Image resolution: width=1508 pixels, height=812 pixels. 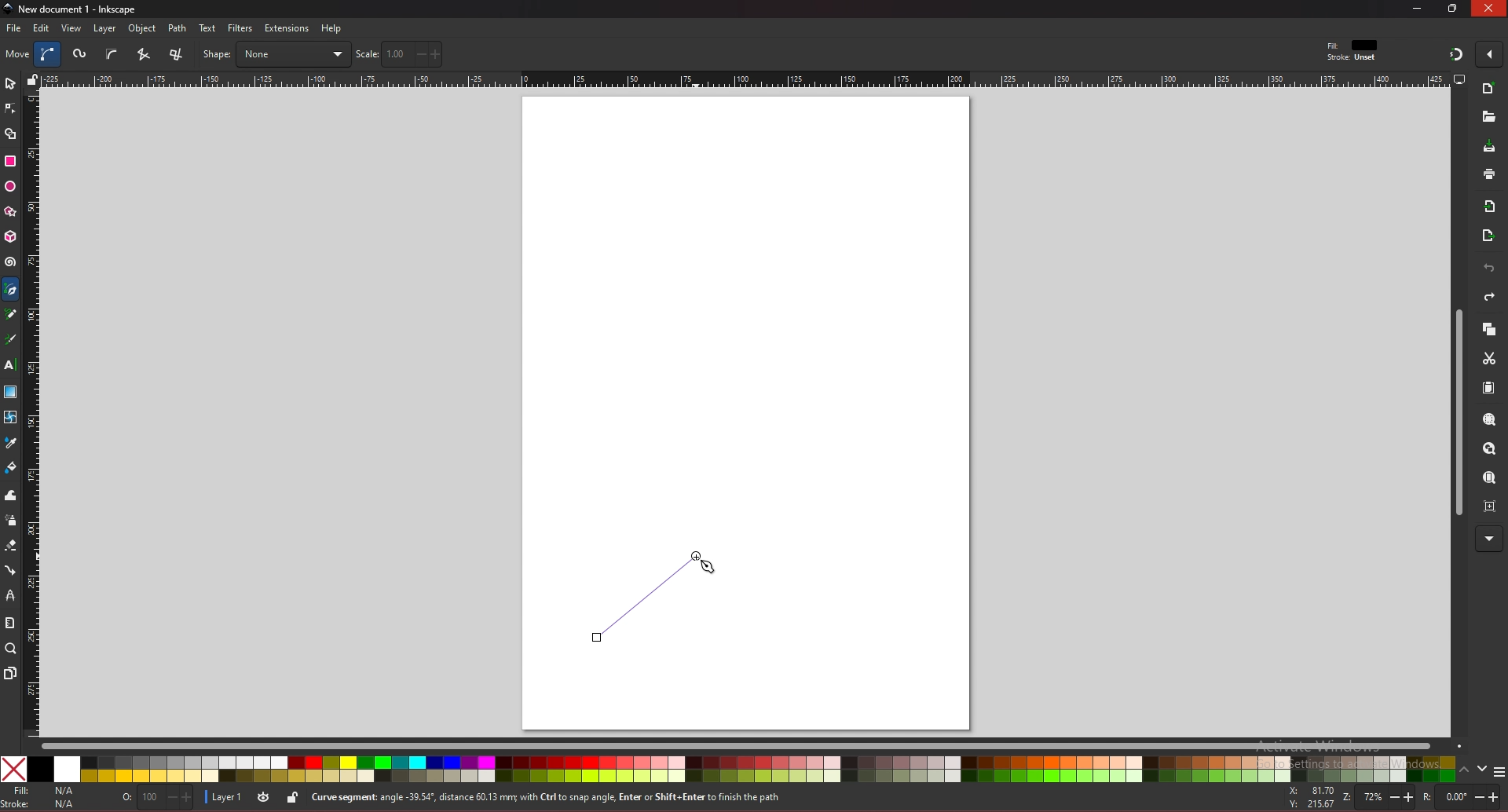 What do you see at coordinates (11, 392) in the screenshot?
I see `gradient` at bounding box center [11, 392].